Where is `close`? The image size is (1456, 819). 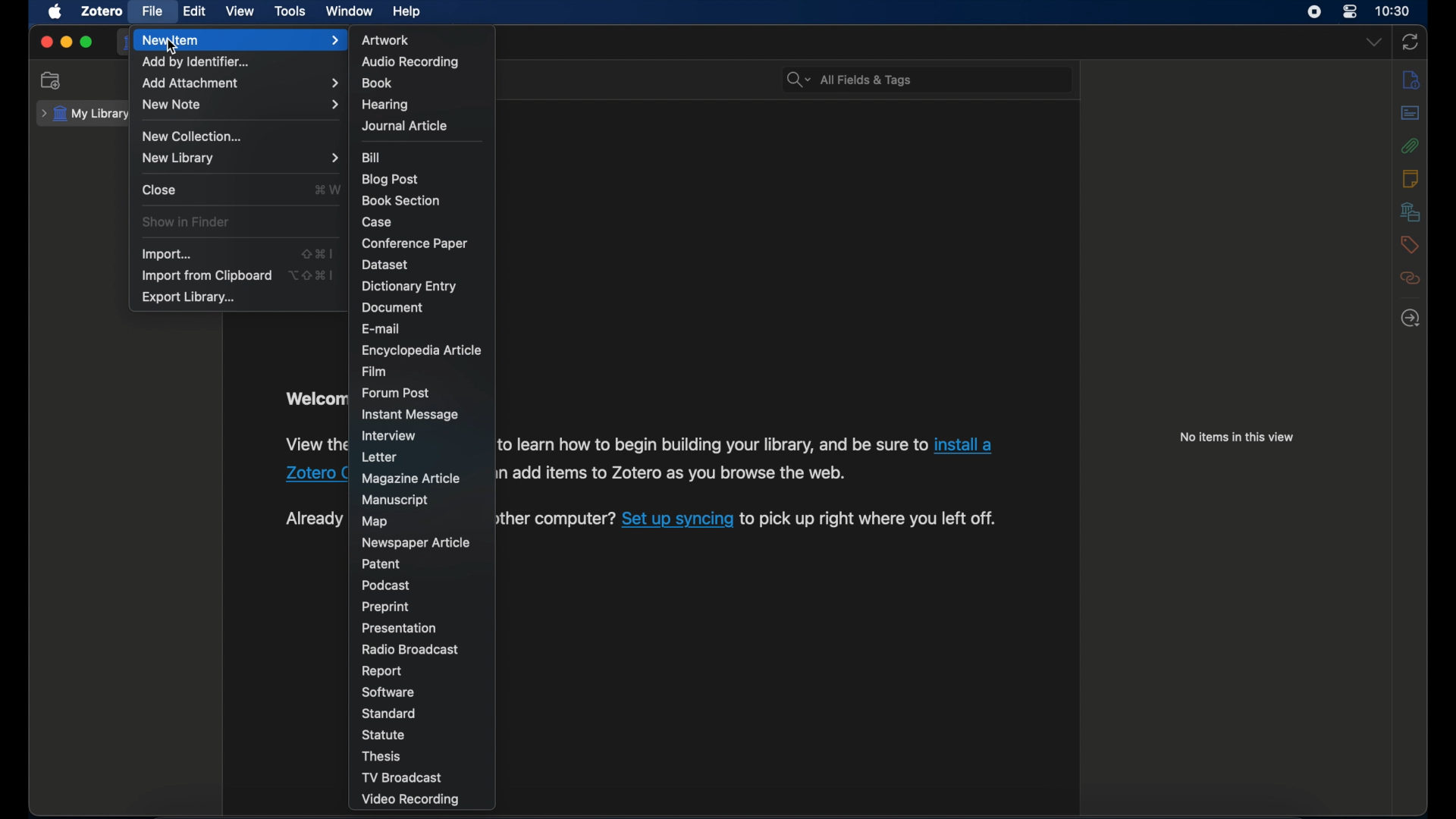 close is located at coordinates (47, 42).